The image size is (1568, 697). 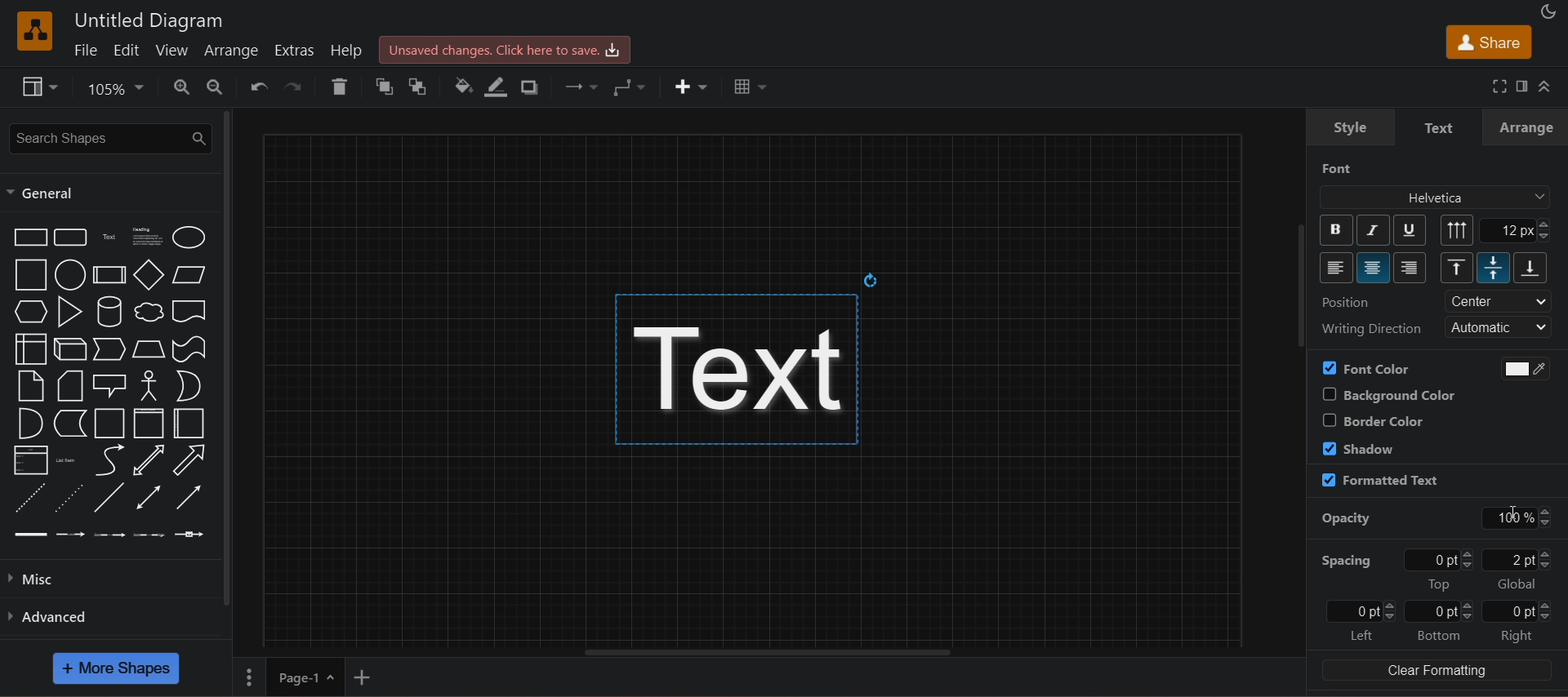 What do you see at coordinates (1519, 368) in the screenshot?
I see `use black and white` at bounding box center [1519, 368].